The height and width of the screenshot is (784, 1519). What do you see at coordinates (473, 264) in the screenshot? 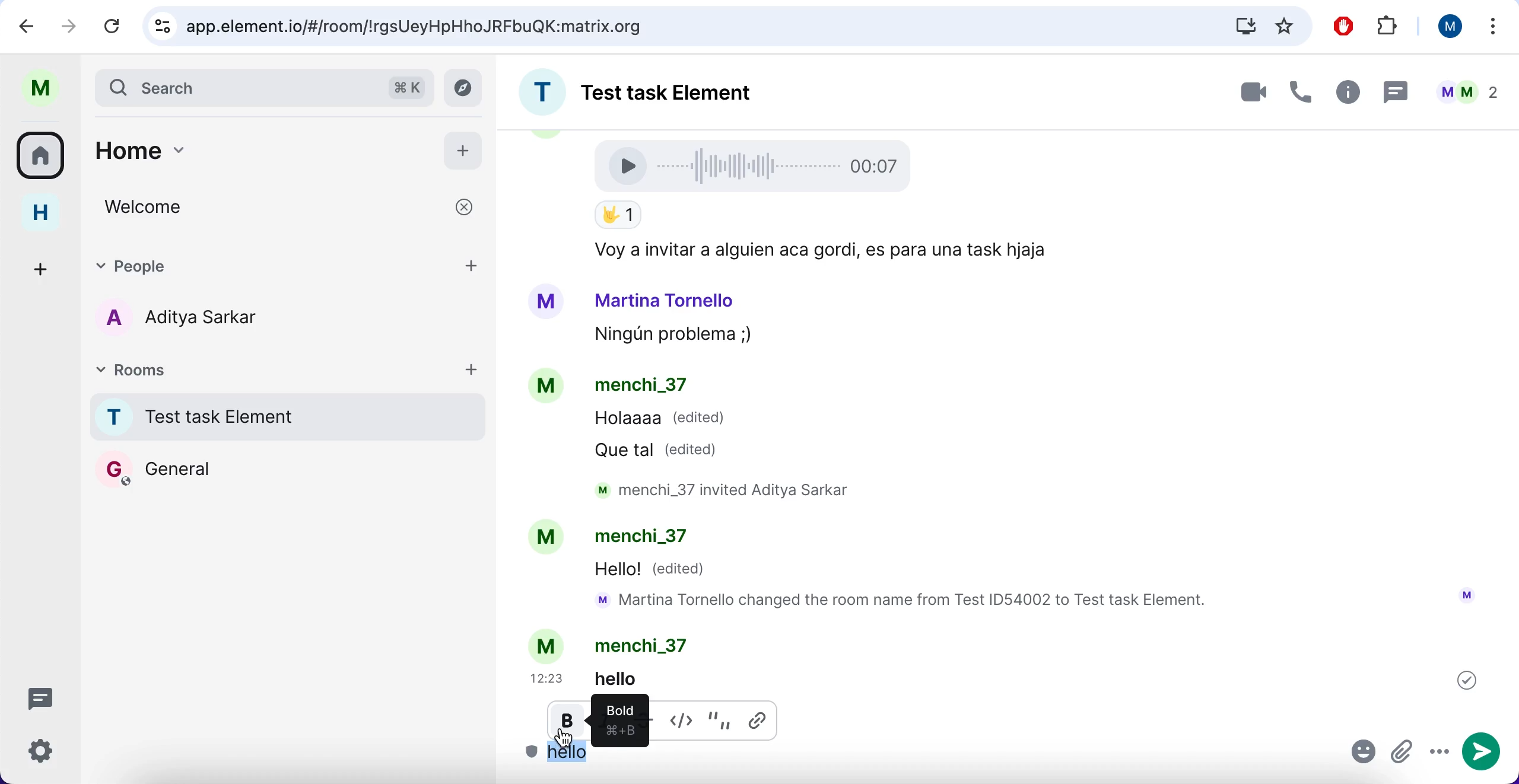
I see `add` at bounding box center [473, 264].